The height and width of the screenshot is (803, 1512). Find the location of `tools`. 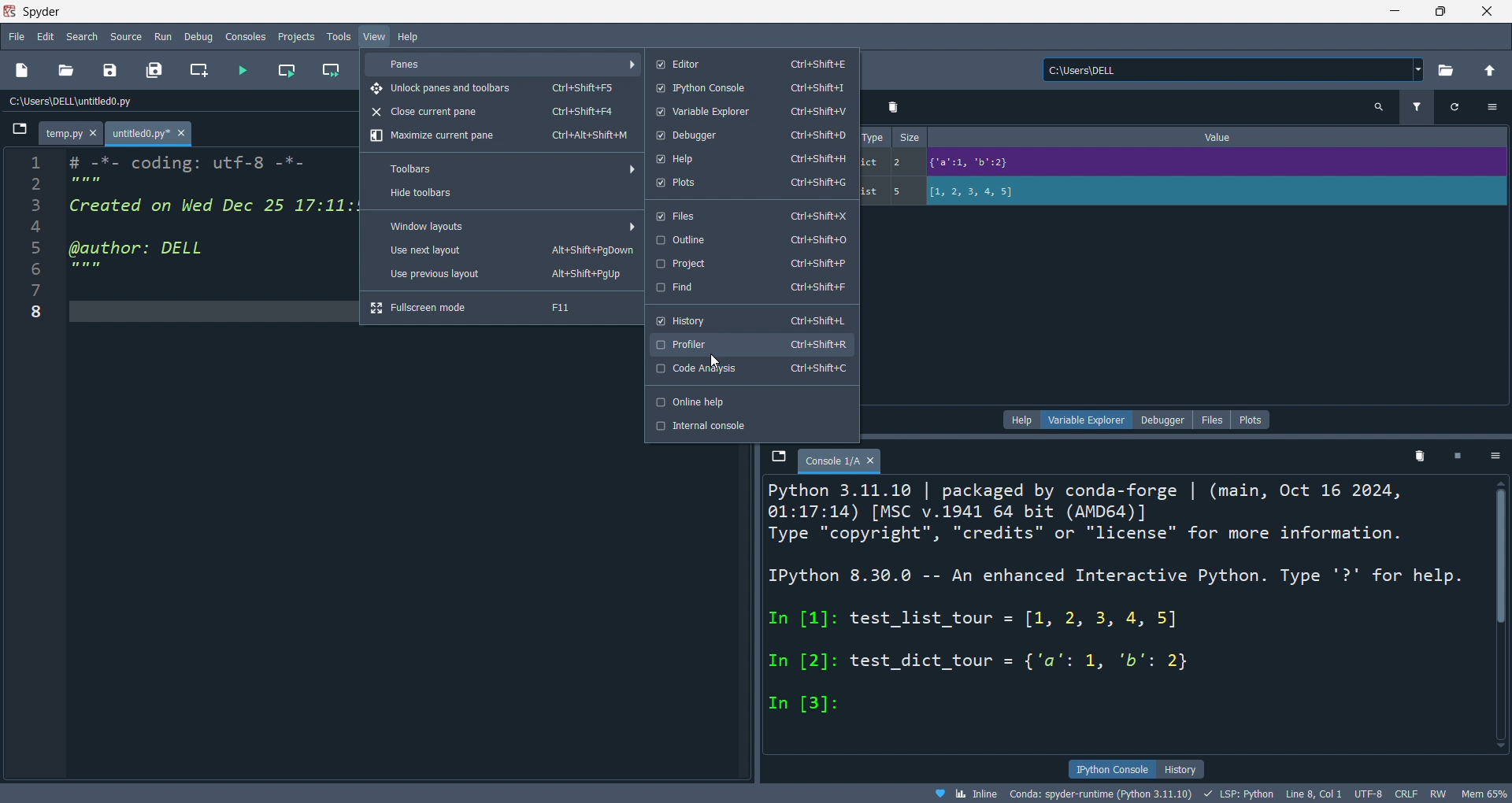

tools is located at coordinates (338, 39).